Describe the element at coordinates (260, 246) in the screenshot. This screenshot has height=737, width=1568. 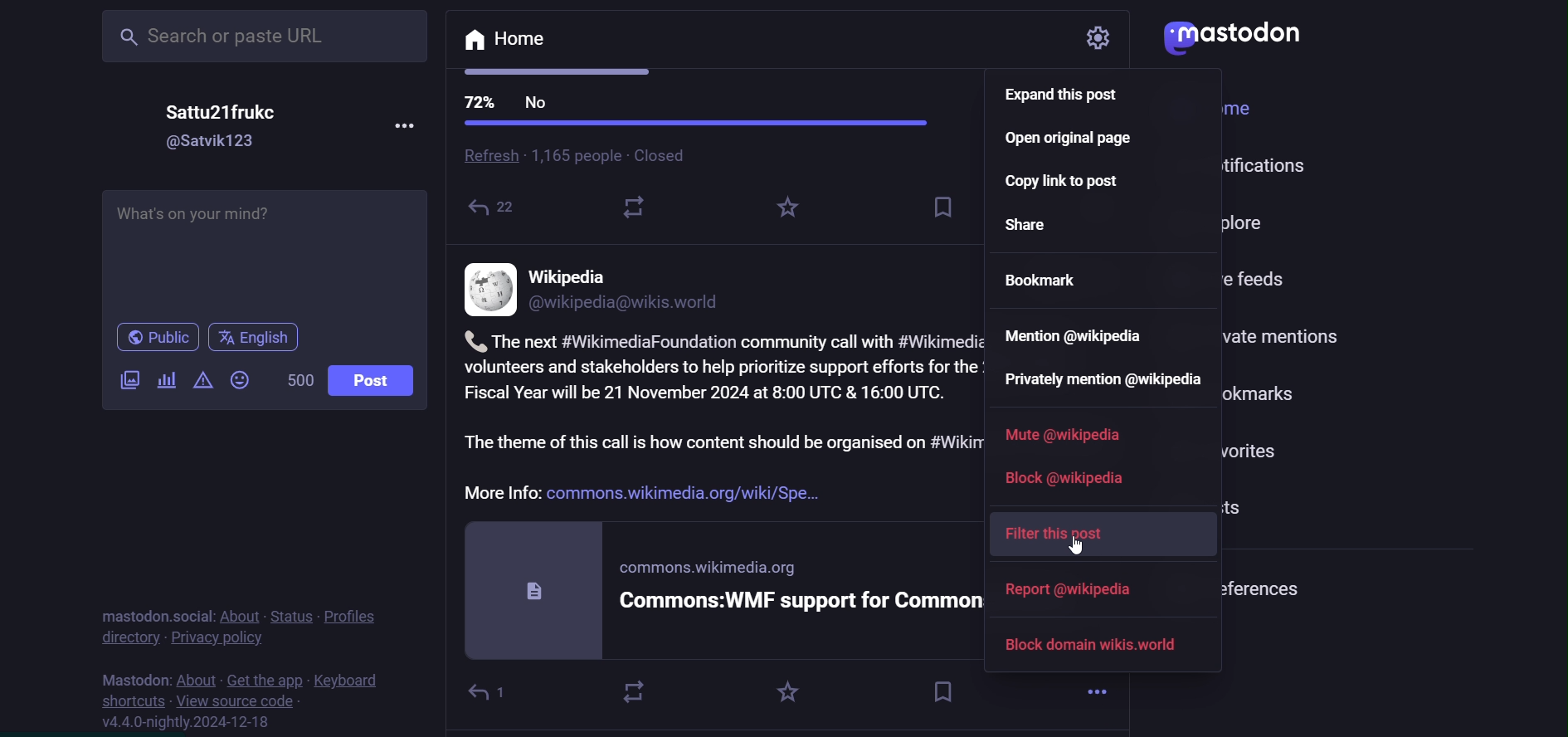
I see `post here` at that location.